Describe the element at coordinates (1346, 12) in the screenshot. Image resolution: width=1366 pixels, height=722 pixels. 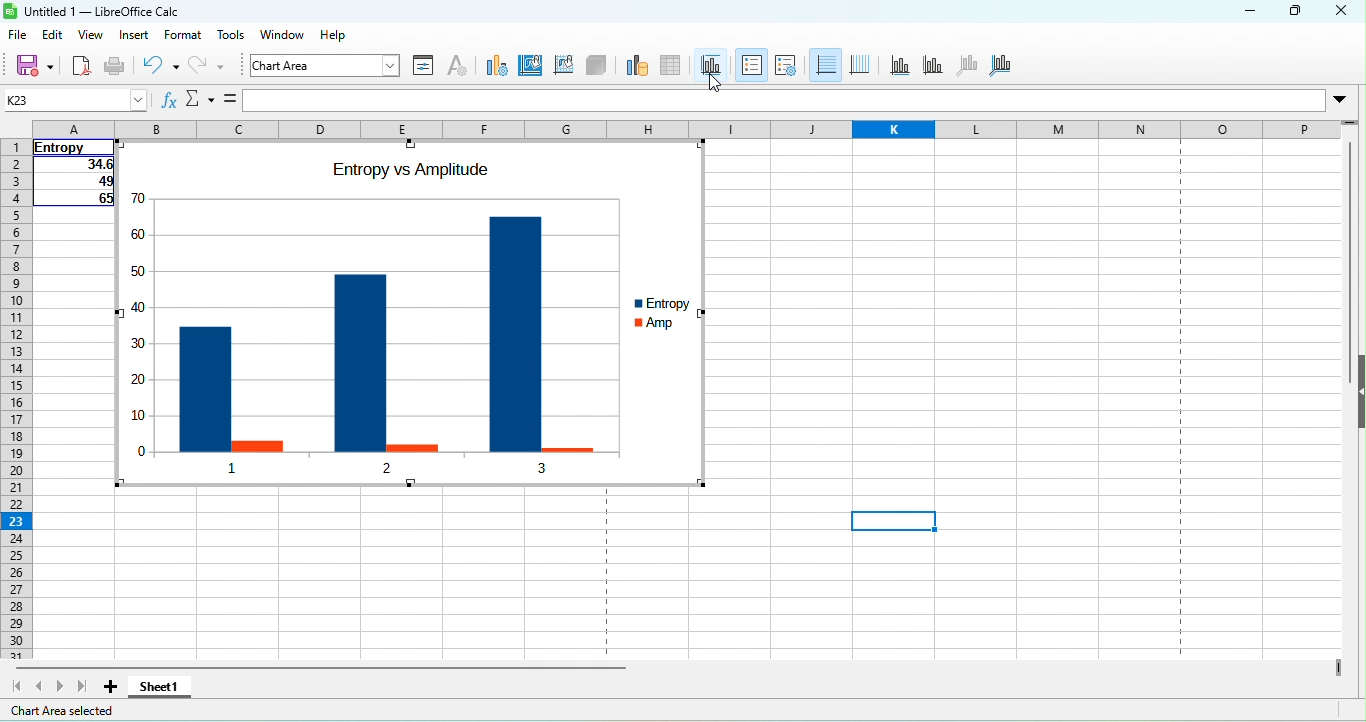
I see `close` at that location.